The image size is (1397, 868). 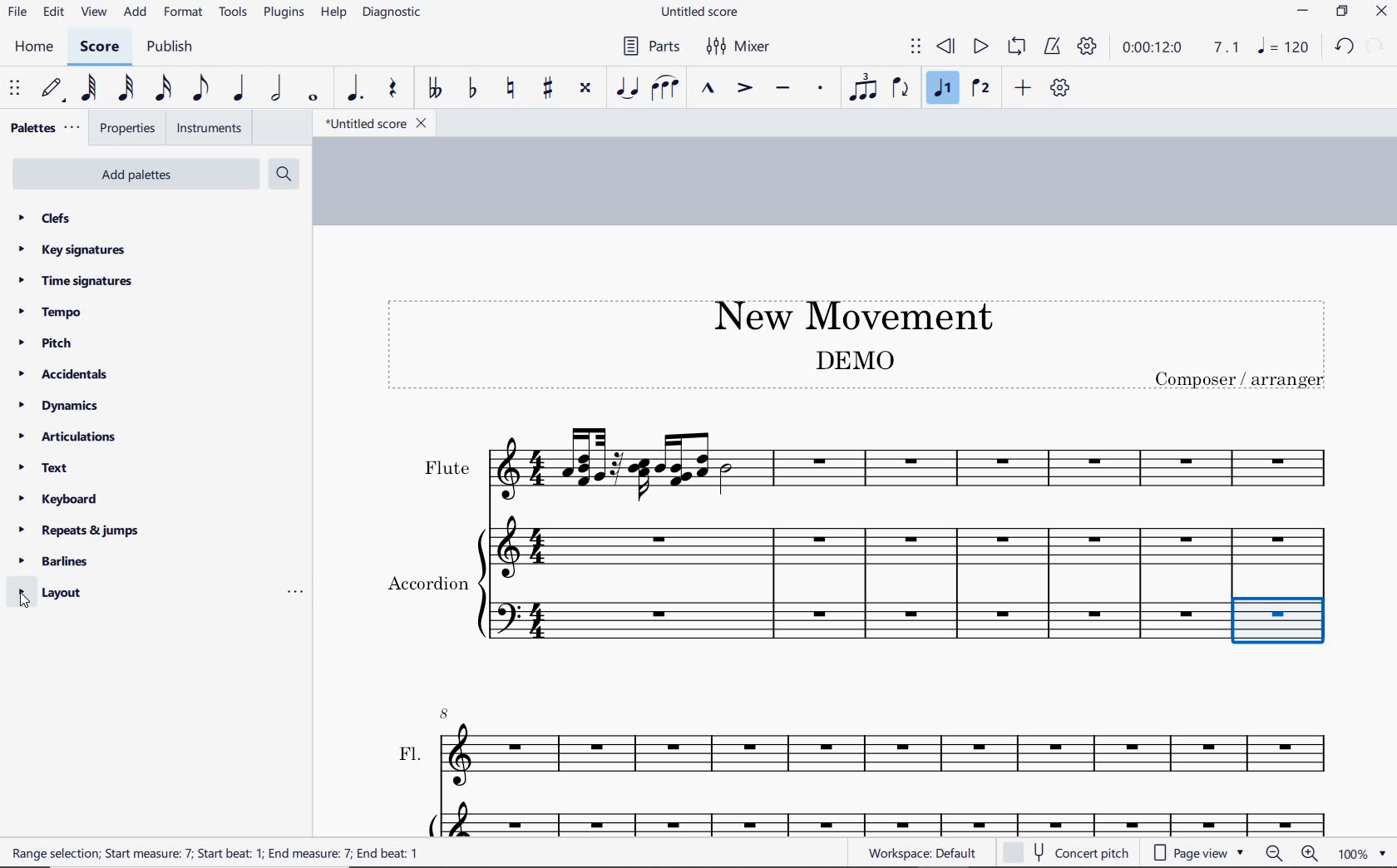 What do you see at coordinates (59, 499) in the screenshot?
I see `keyboard` at bounding box center [59, 499].